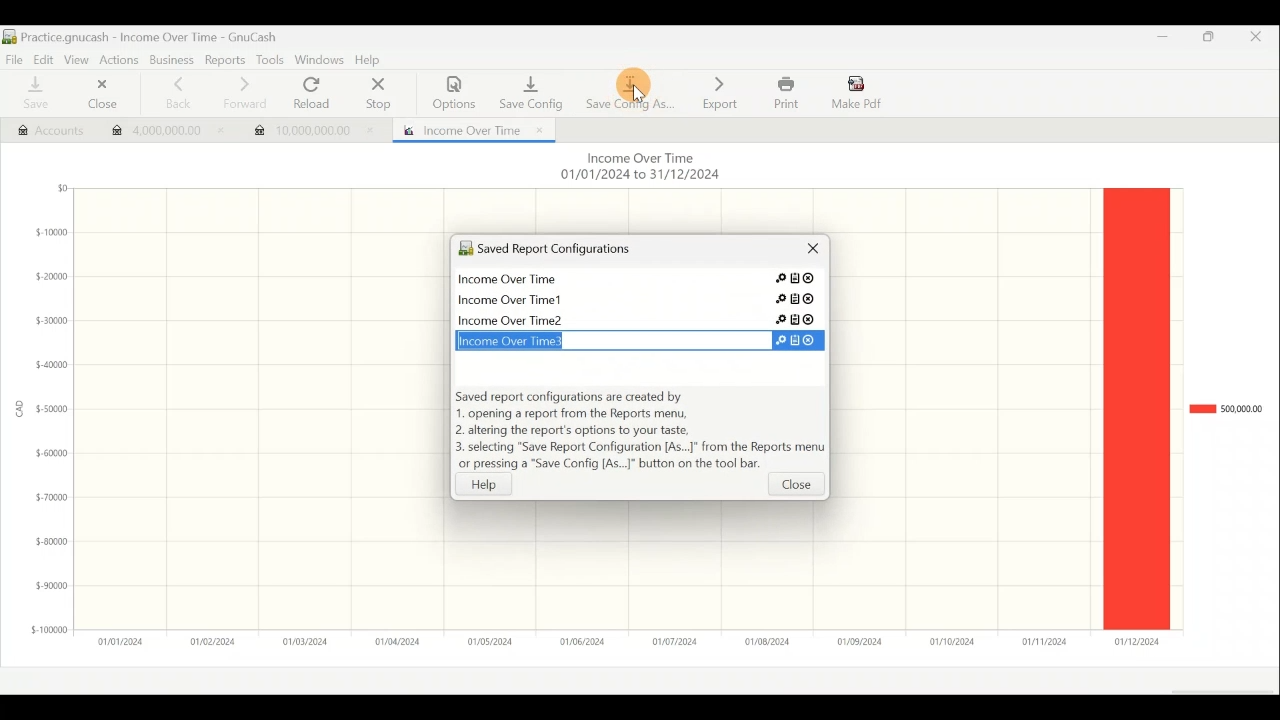 The width and height of the screenshot is (1280, 720). What do you see at coordinates (14, 58) in the screenshot?
I see `File` at bounding box center [14, 58].